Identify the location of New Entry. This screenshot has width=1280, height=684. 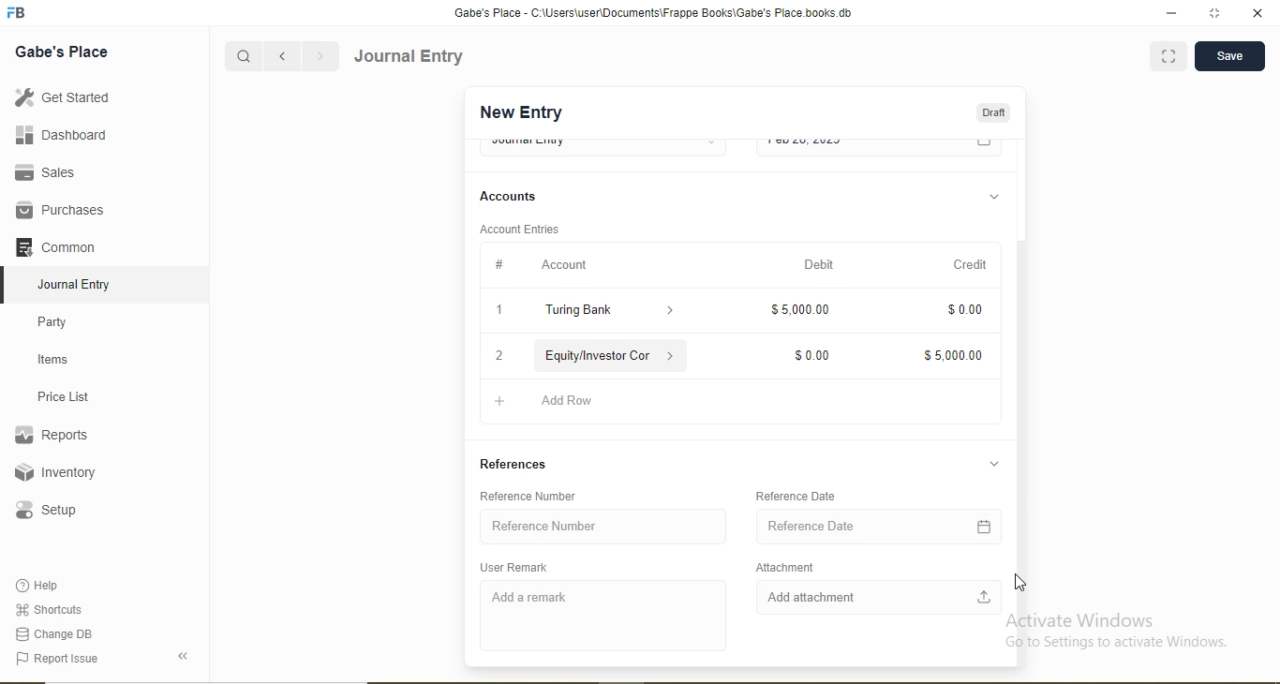
(520, 113).